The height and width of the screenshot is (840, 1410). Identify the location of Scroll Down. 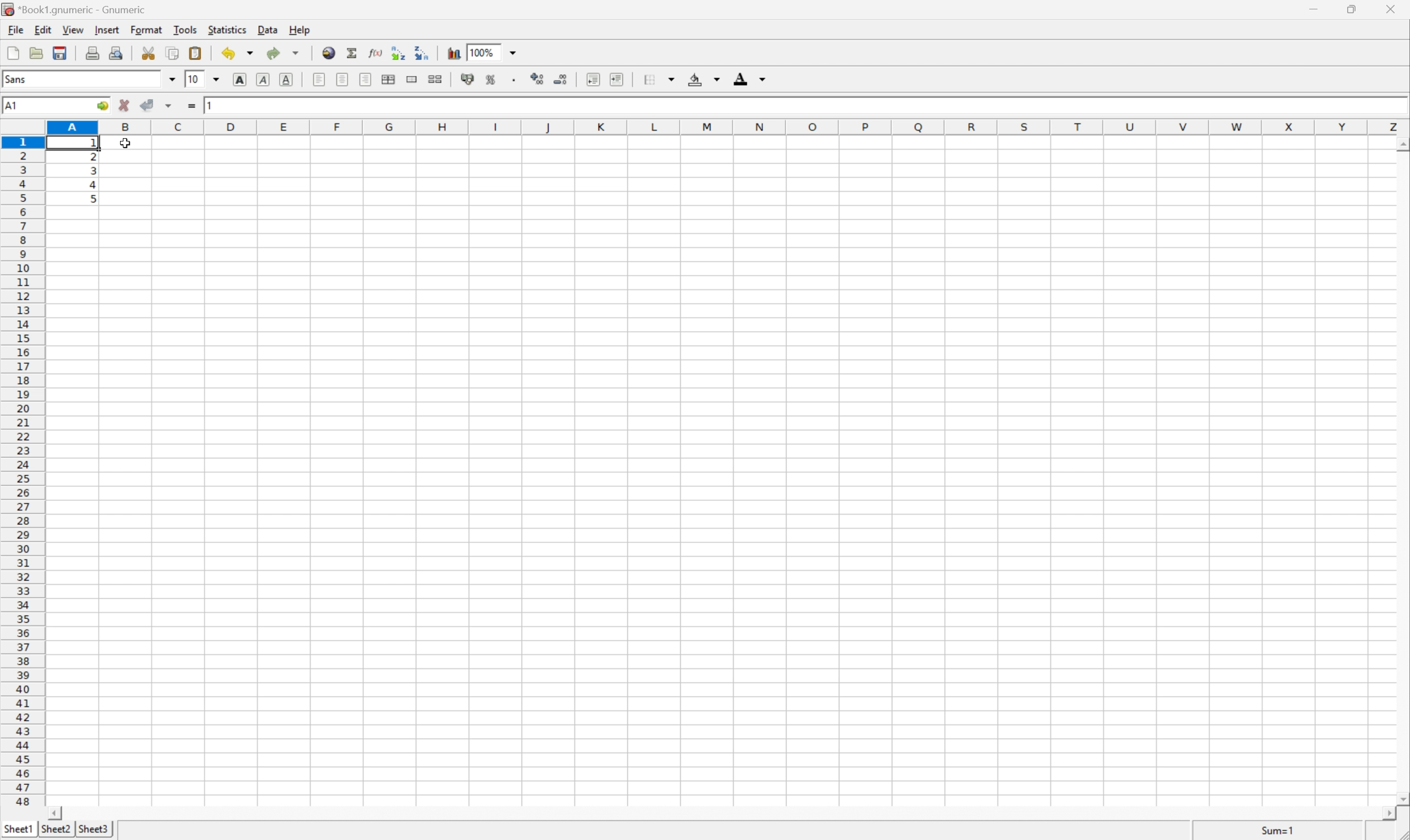
(1400, 796).